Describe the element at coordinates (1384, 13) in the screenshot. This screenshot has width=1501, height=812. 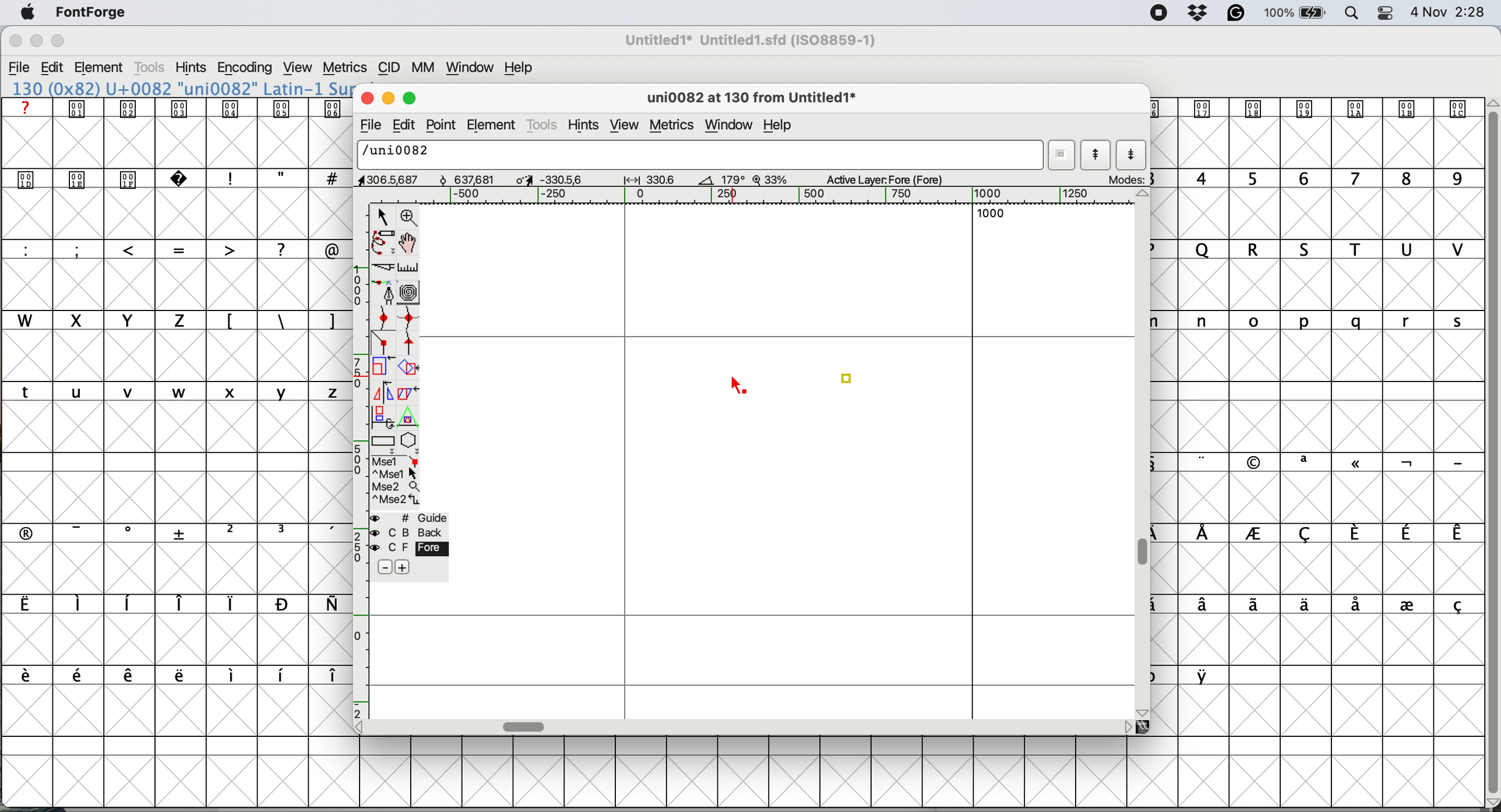
I see `control center` at that location.